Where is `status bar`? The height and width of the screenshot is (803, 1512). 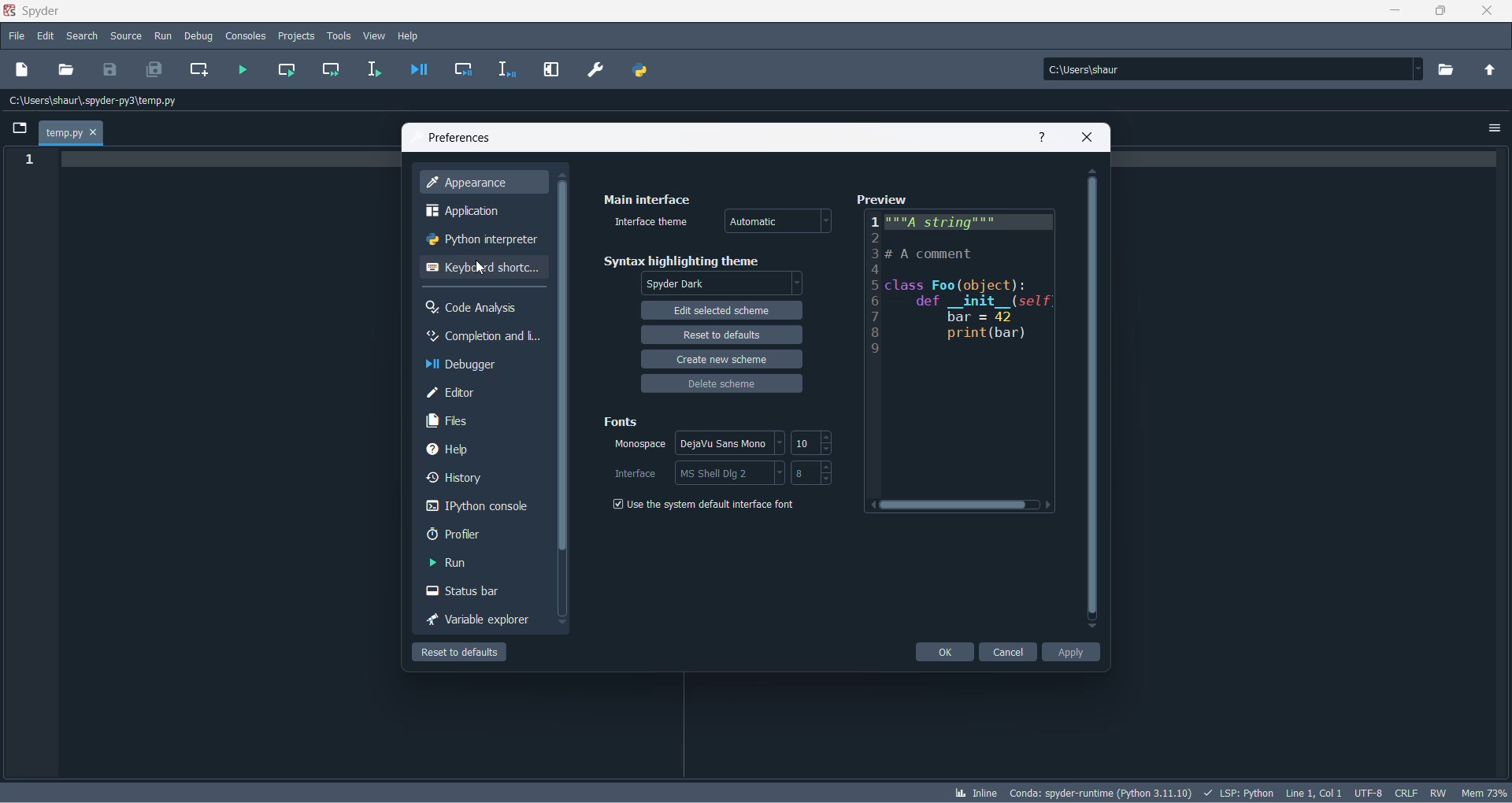 status bar is located at coordinates (475, 591).